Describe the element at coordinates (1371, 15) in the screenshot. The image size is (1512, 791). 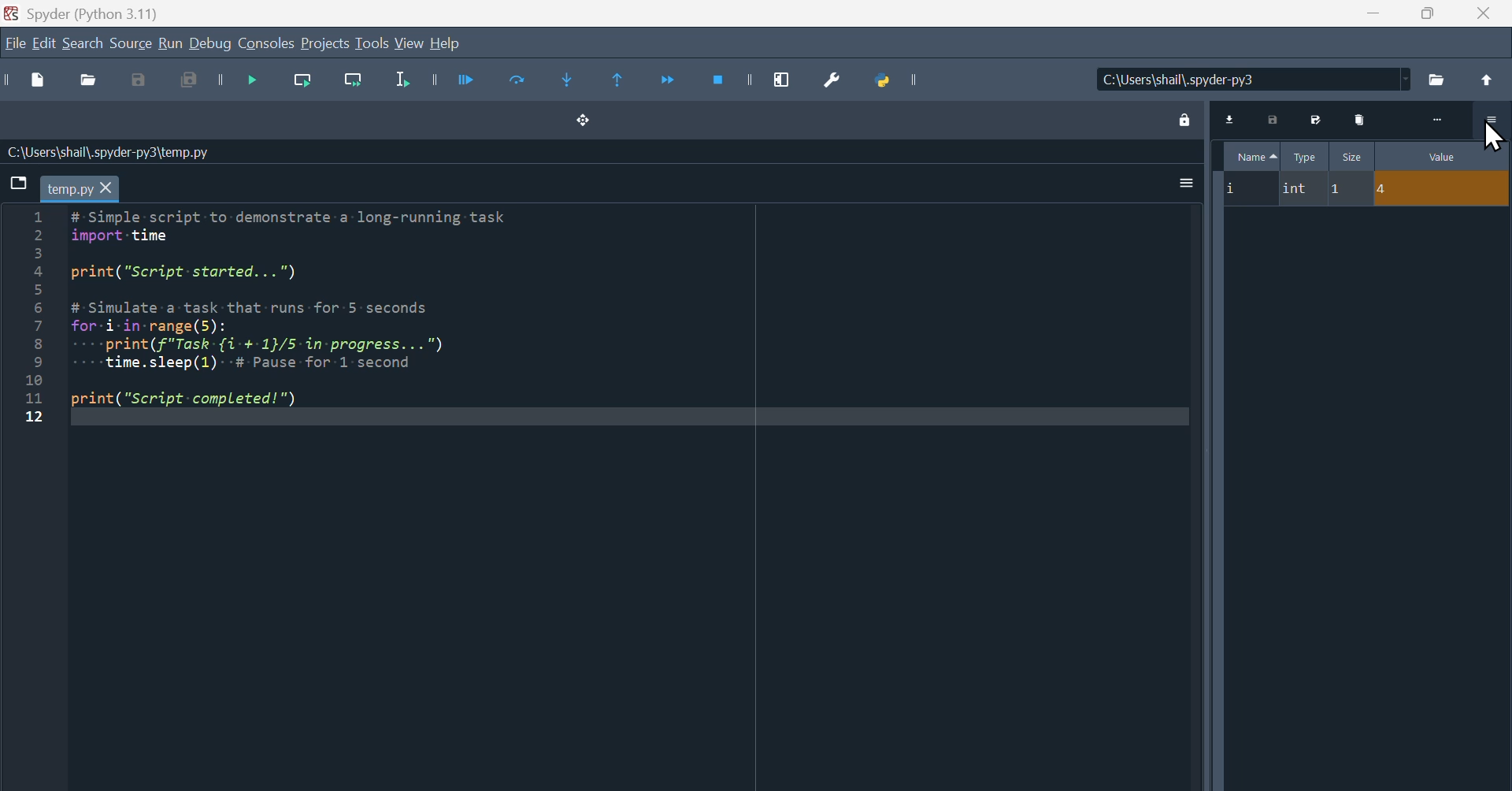
I see `minimize` at that location.